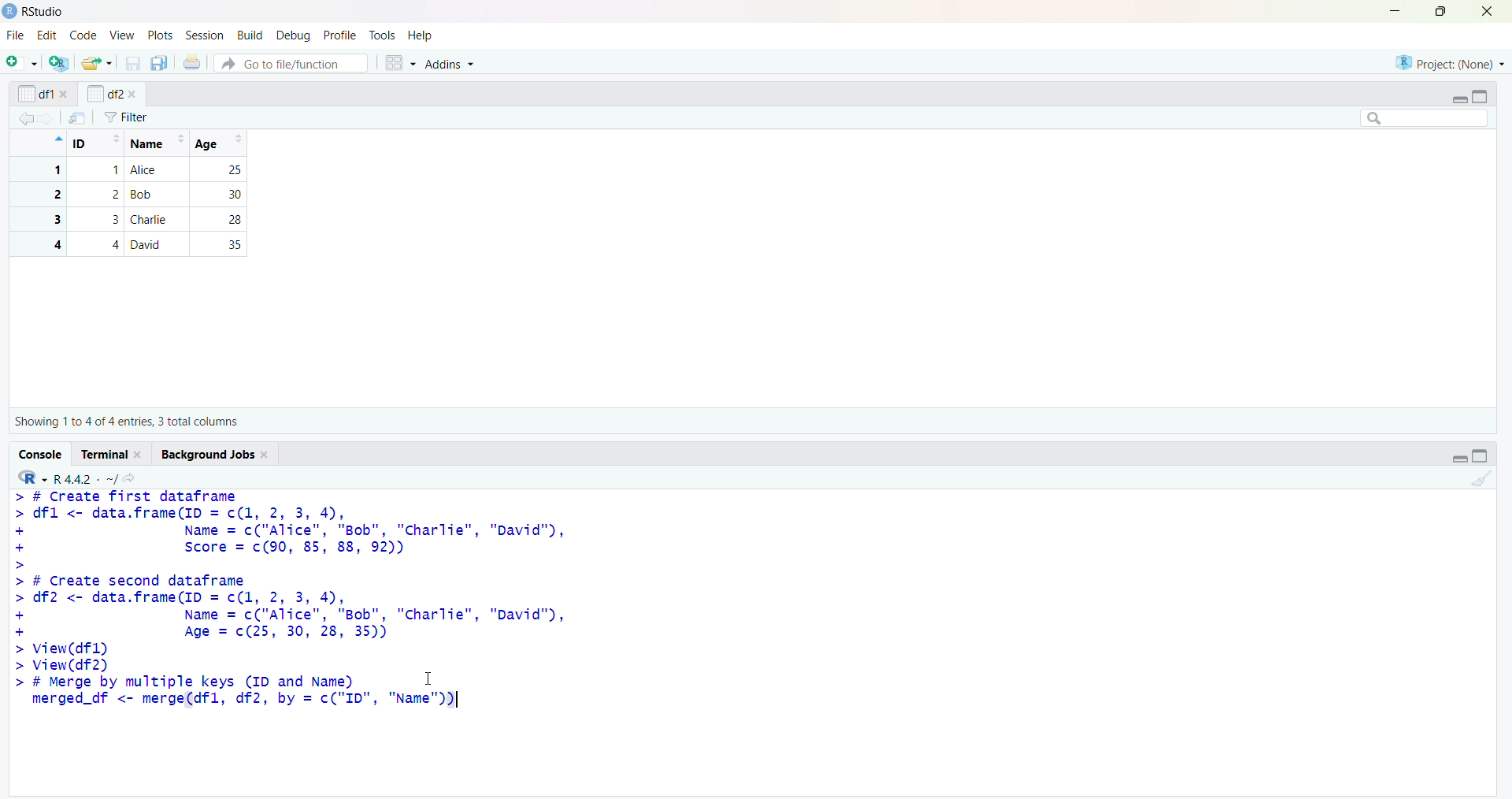 This screenshot has height=799, width=1512. Describe the element at coordinates (1479, 97) in the screenshot. I see `toggle full view` at that location.